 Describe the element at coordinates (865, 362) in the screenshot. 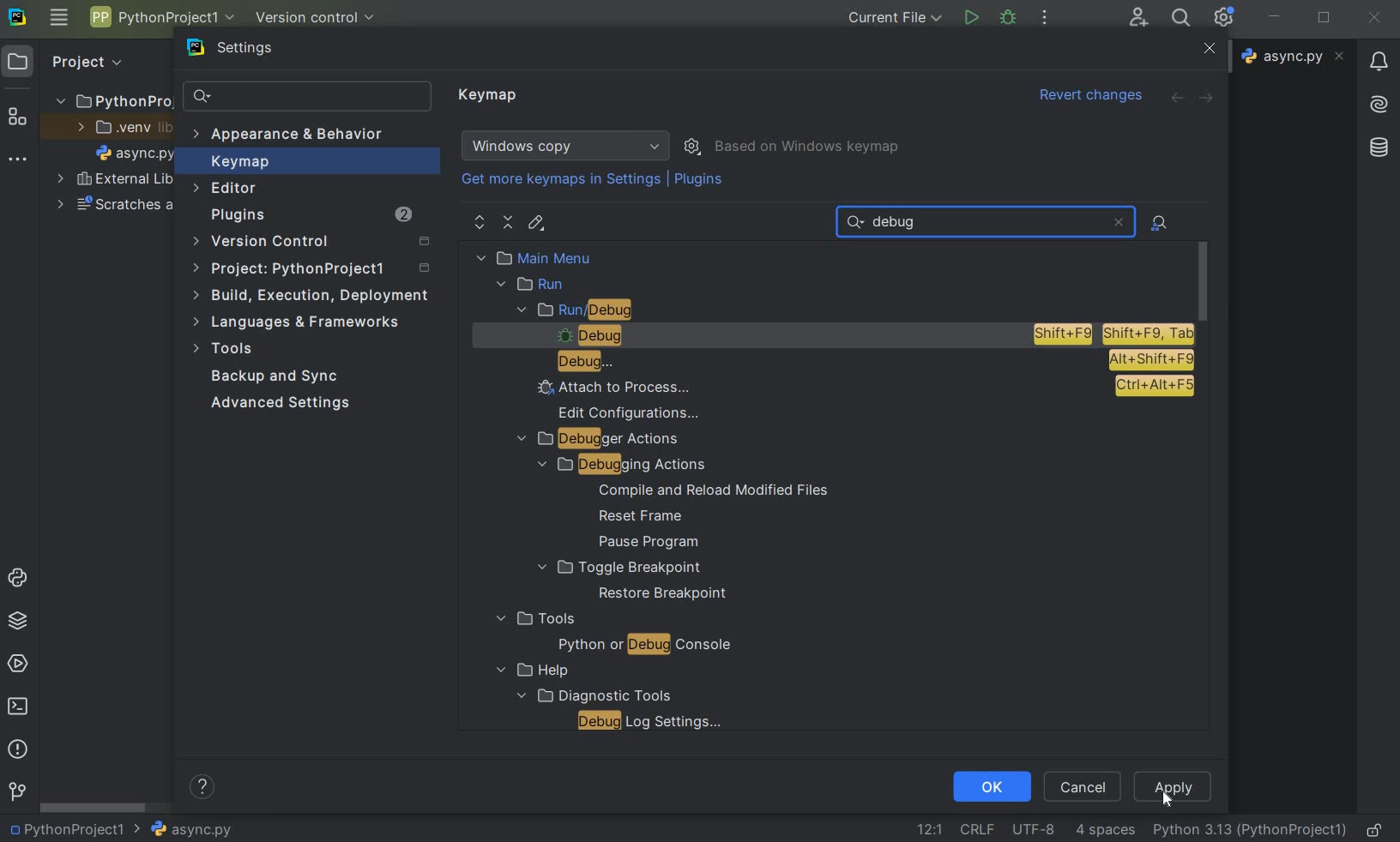

I see `debug` at that location.